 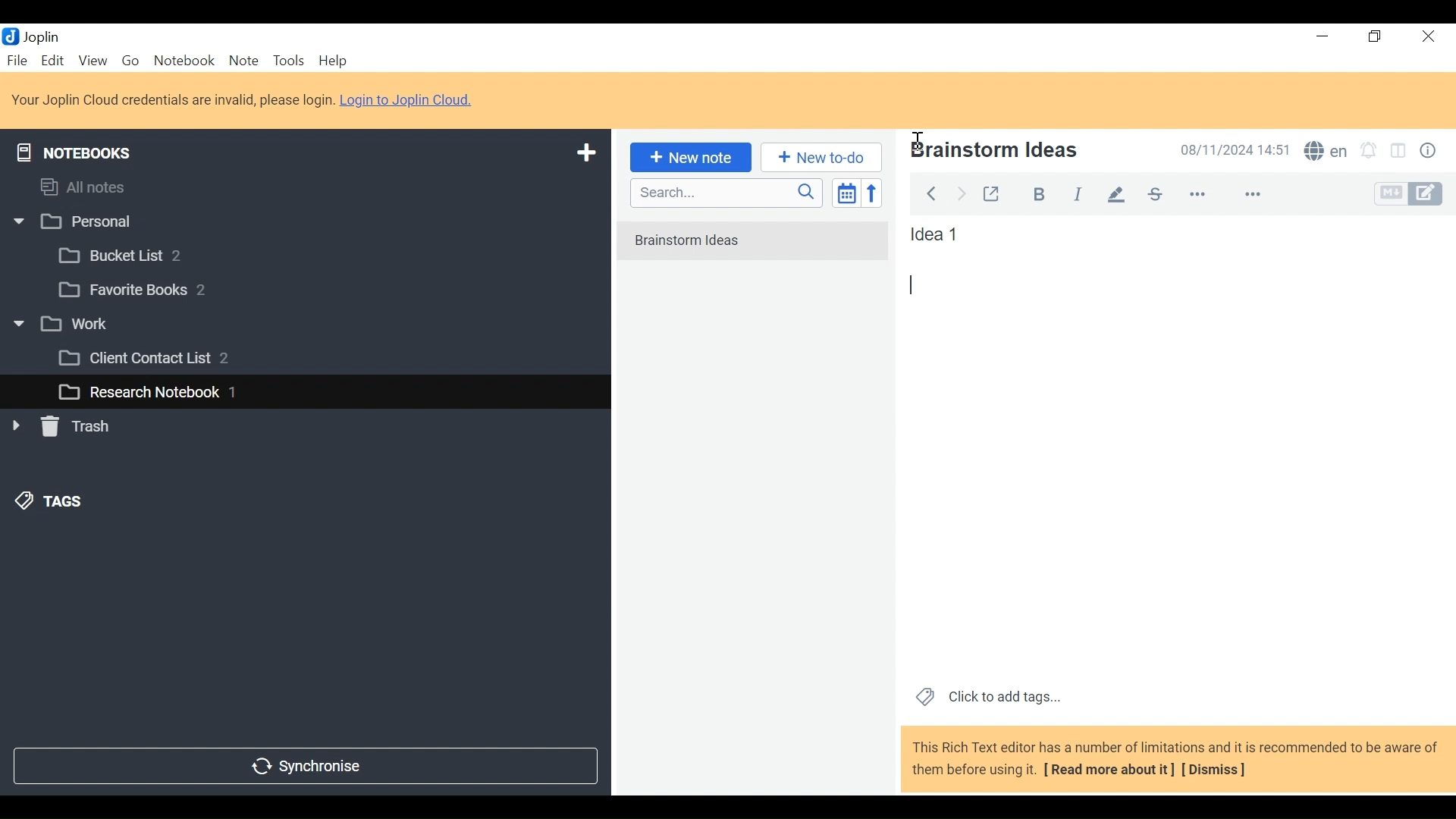 I want to click on » [ Trash, so click(x=80, y=426).